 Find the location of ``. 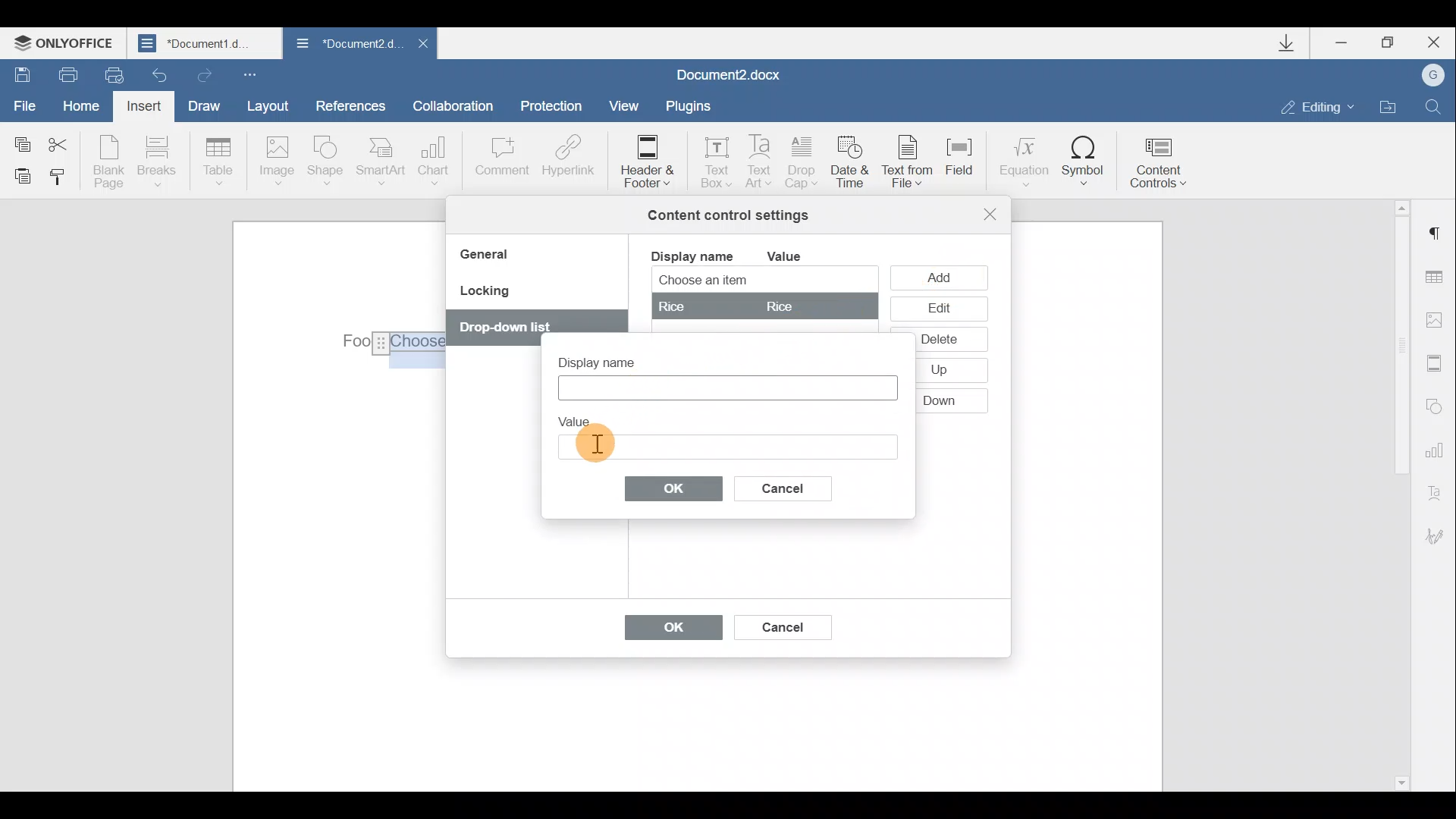

 is located at coordinates (392, 344).